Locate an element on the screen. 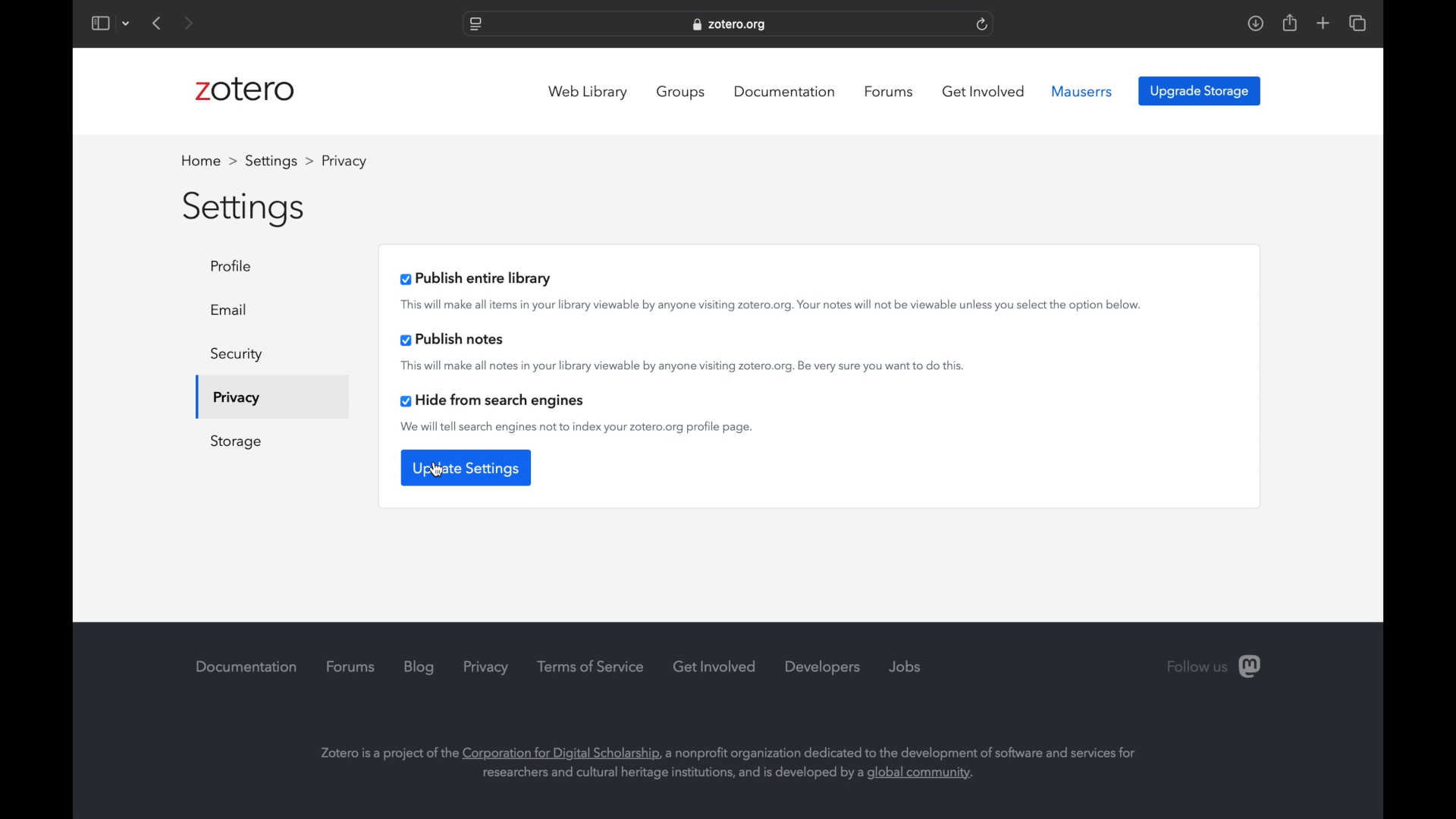  next is located at coordinates (190, 24).